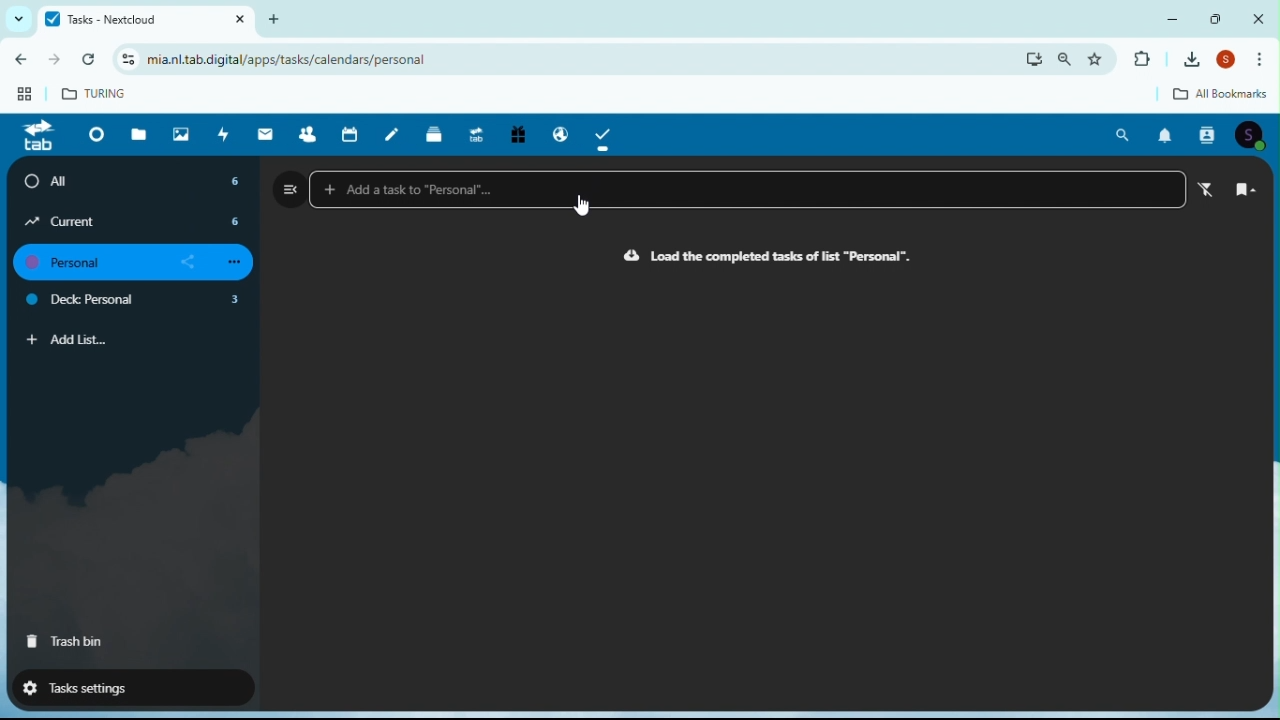  I want to click on Minimise, so click(1177, 18).